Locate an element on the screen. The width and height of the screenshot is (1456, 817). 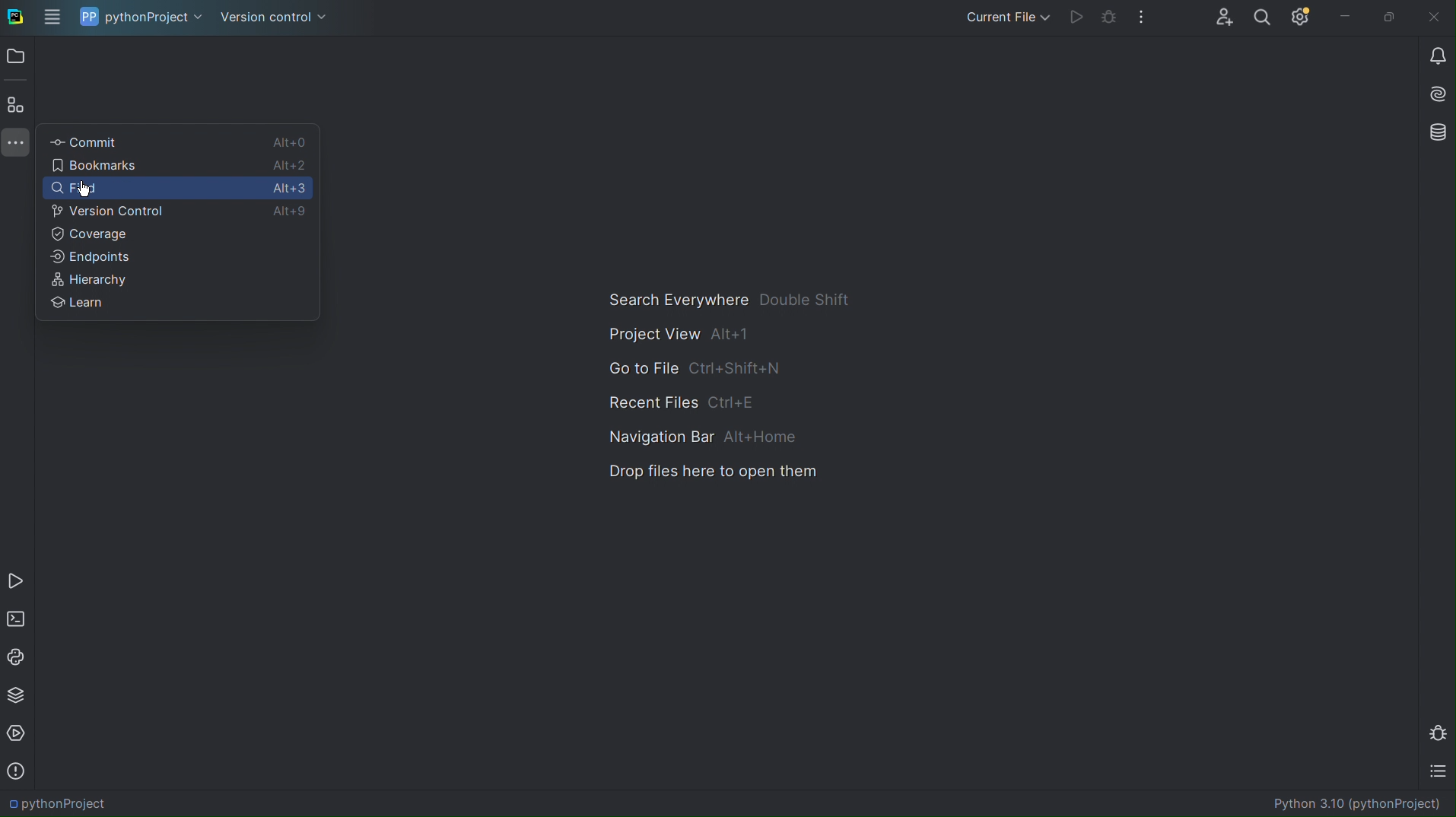
PythonProject is located at coordinates (65, 800).